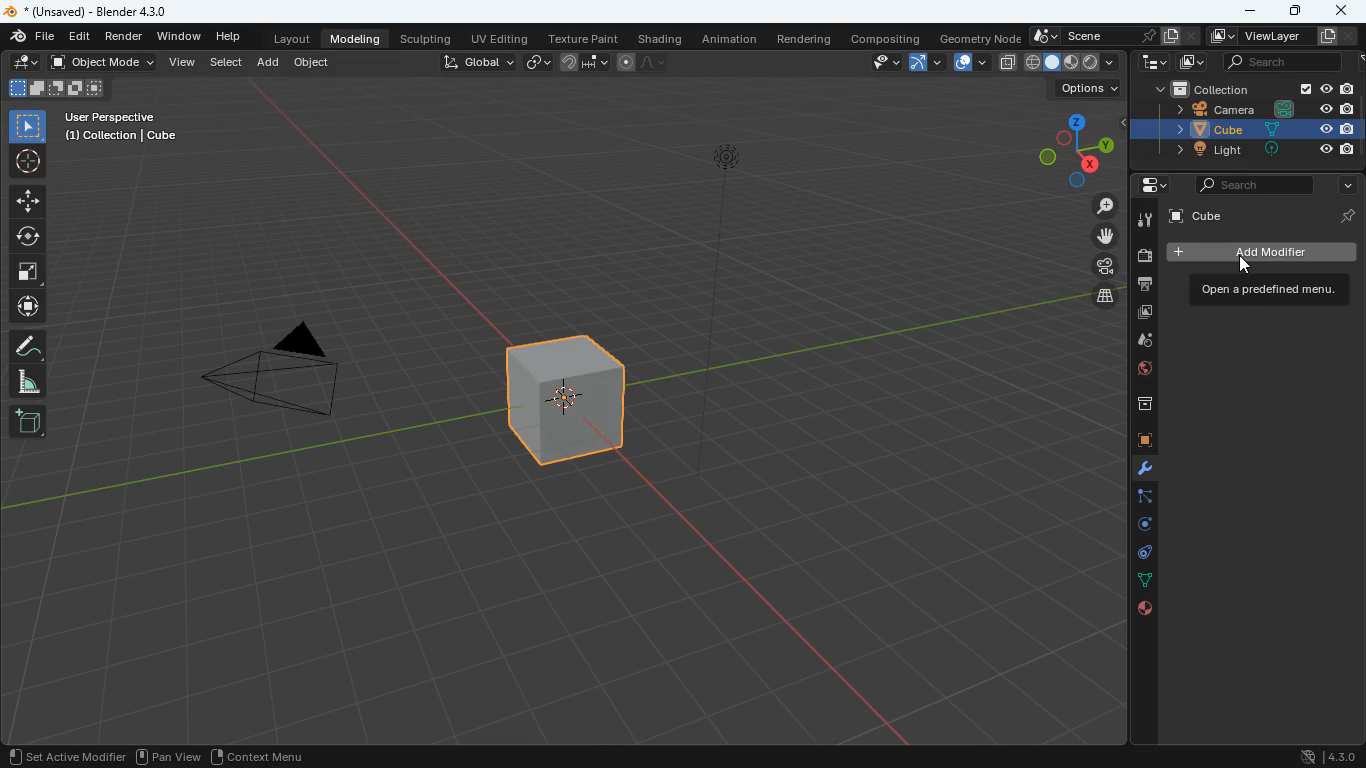  Describe the element at coordinates (124, 36) in the screenshot. I see `render` at that location.